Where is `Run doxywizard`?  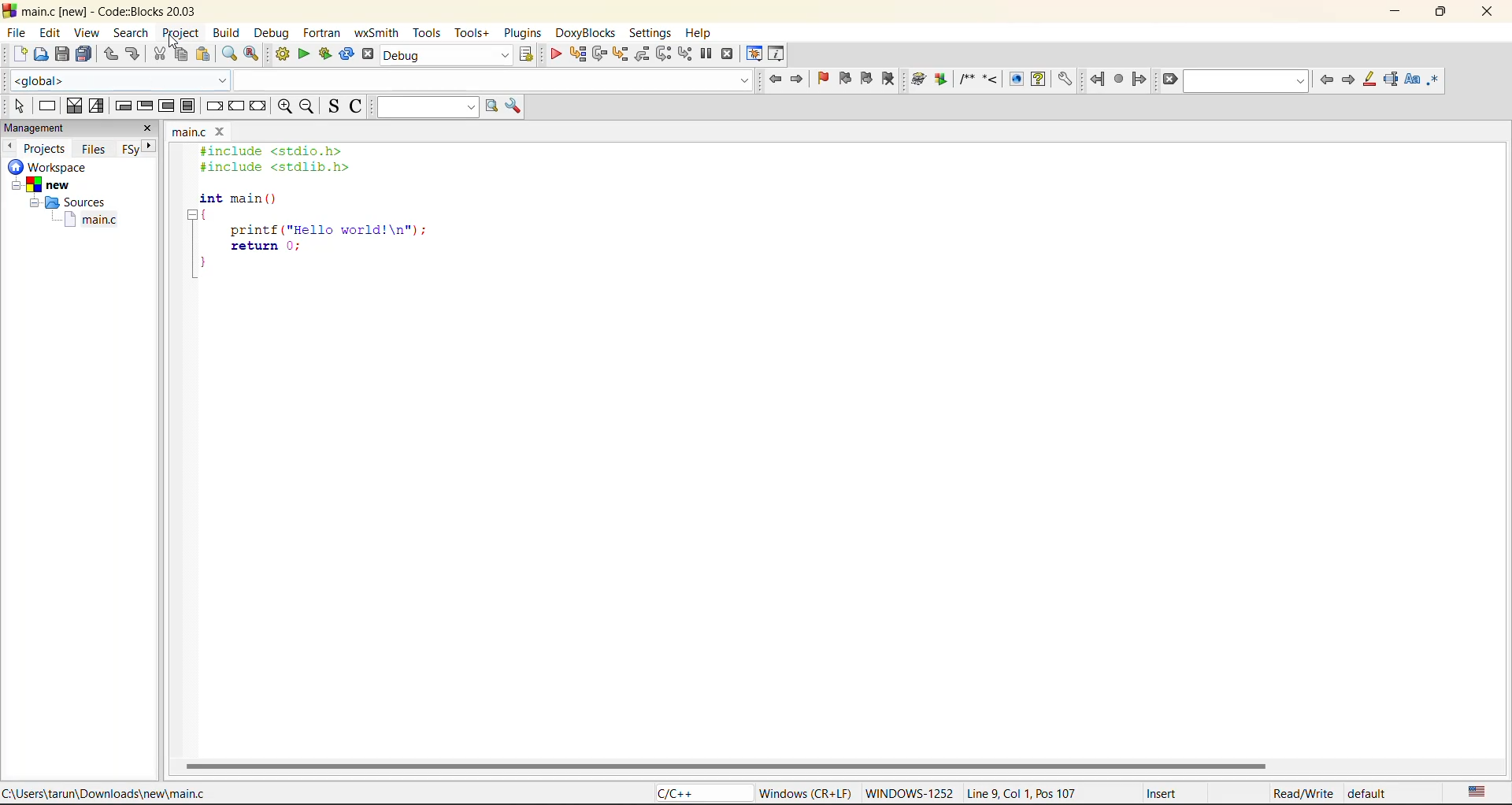 Run doxywizard is located at coordinates (918, 80).